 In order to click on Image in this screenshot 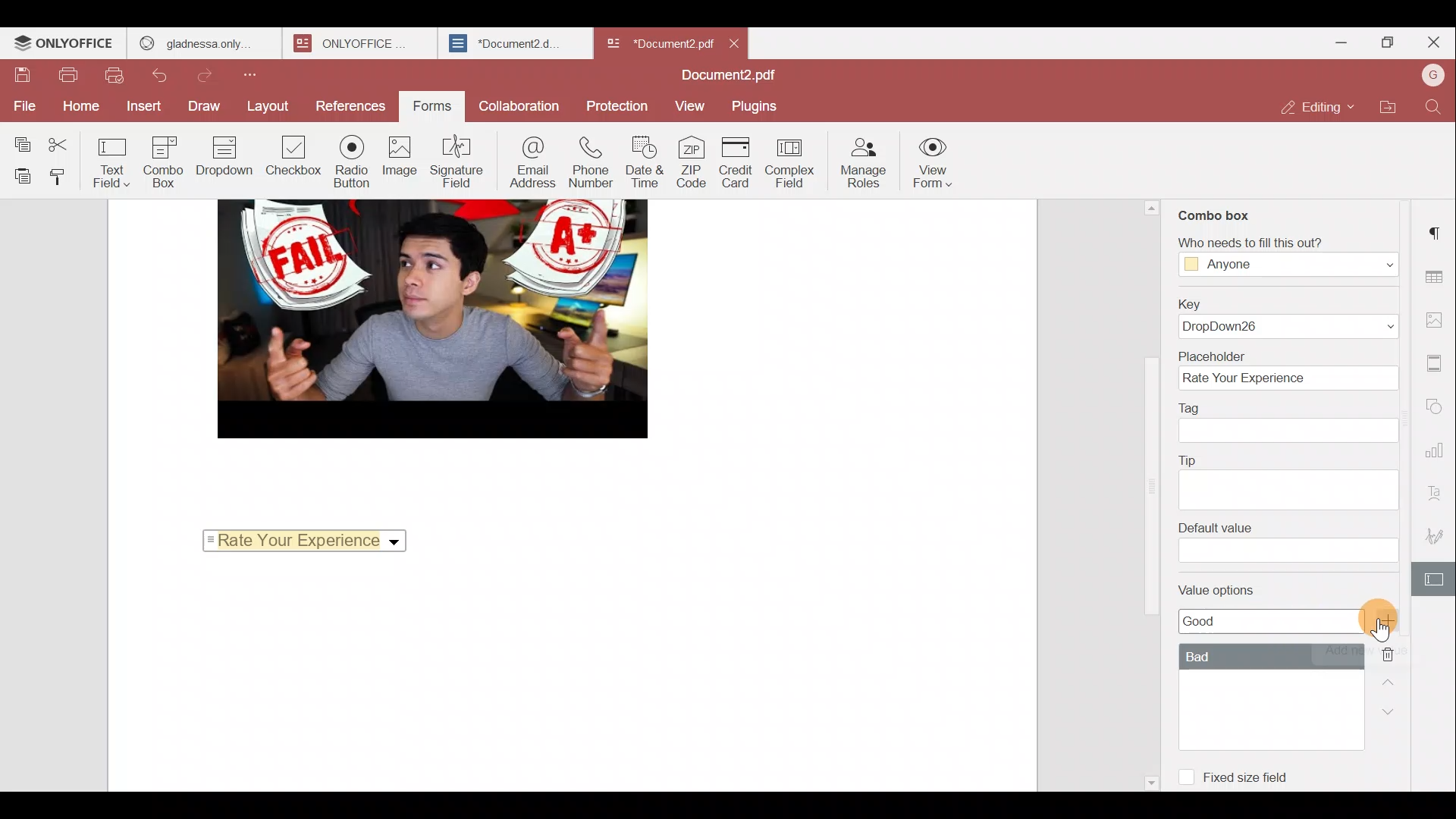, I will do `click(400, 159)`.